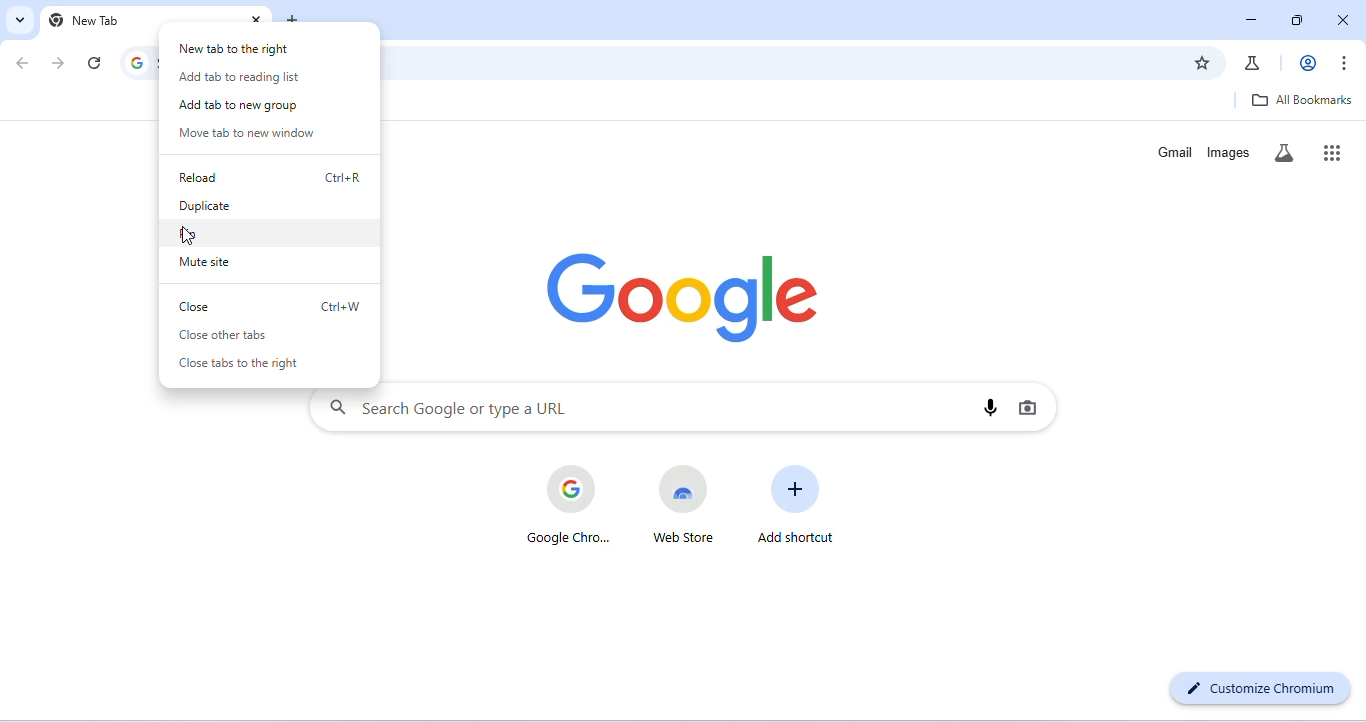 The image size is (1366, 722). I want to click on image search, so click(1028, 407).